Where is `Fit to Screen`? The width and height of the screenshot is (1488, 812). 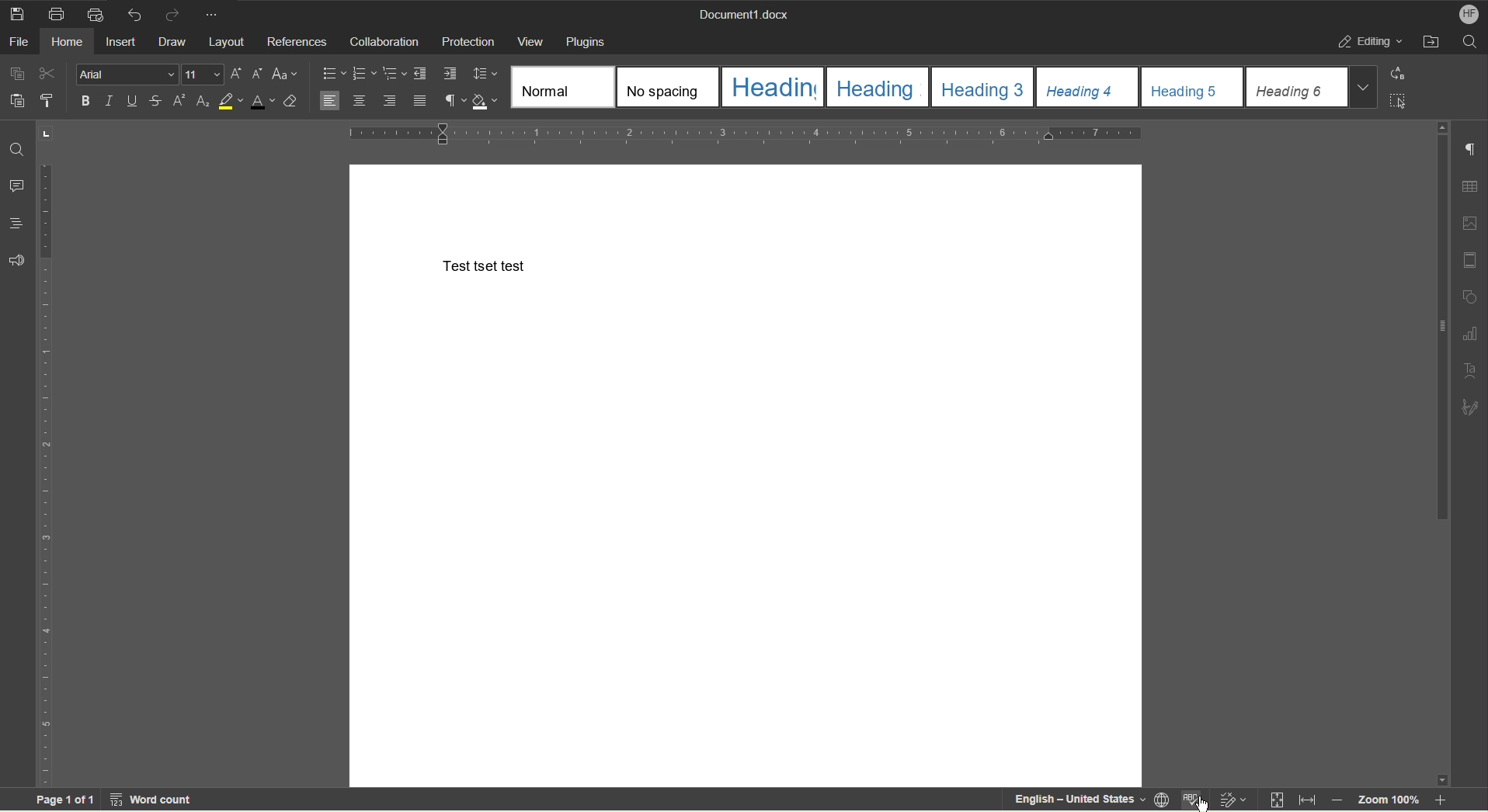 Fit to Screen is located at coordinates (1275, 800).